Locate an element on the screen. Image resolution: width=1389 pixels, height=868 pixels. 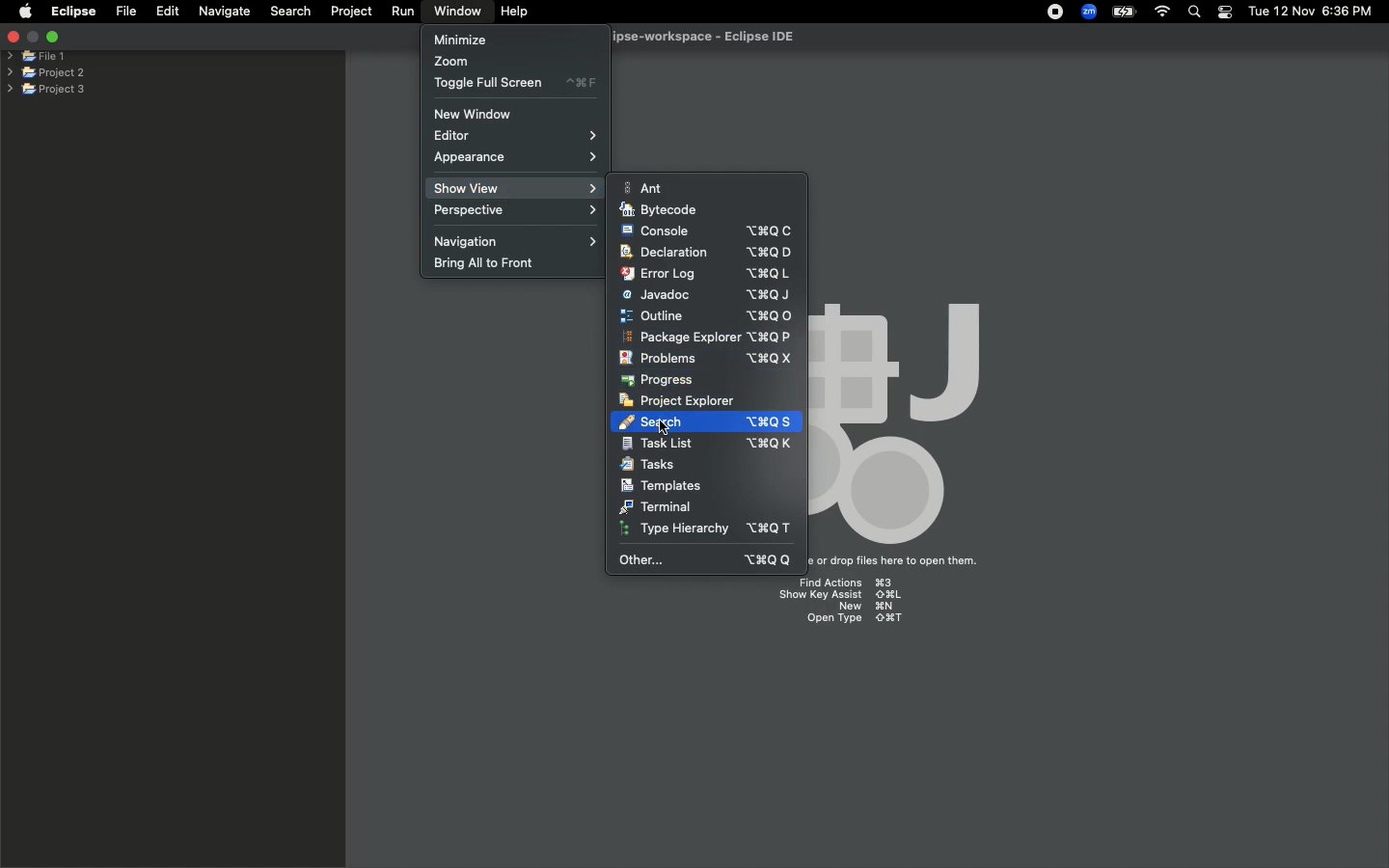
Navigation is located at coordinates (518, 240).